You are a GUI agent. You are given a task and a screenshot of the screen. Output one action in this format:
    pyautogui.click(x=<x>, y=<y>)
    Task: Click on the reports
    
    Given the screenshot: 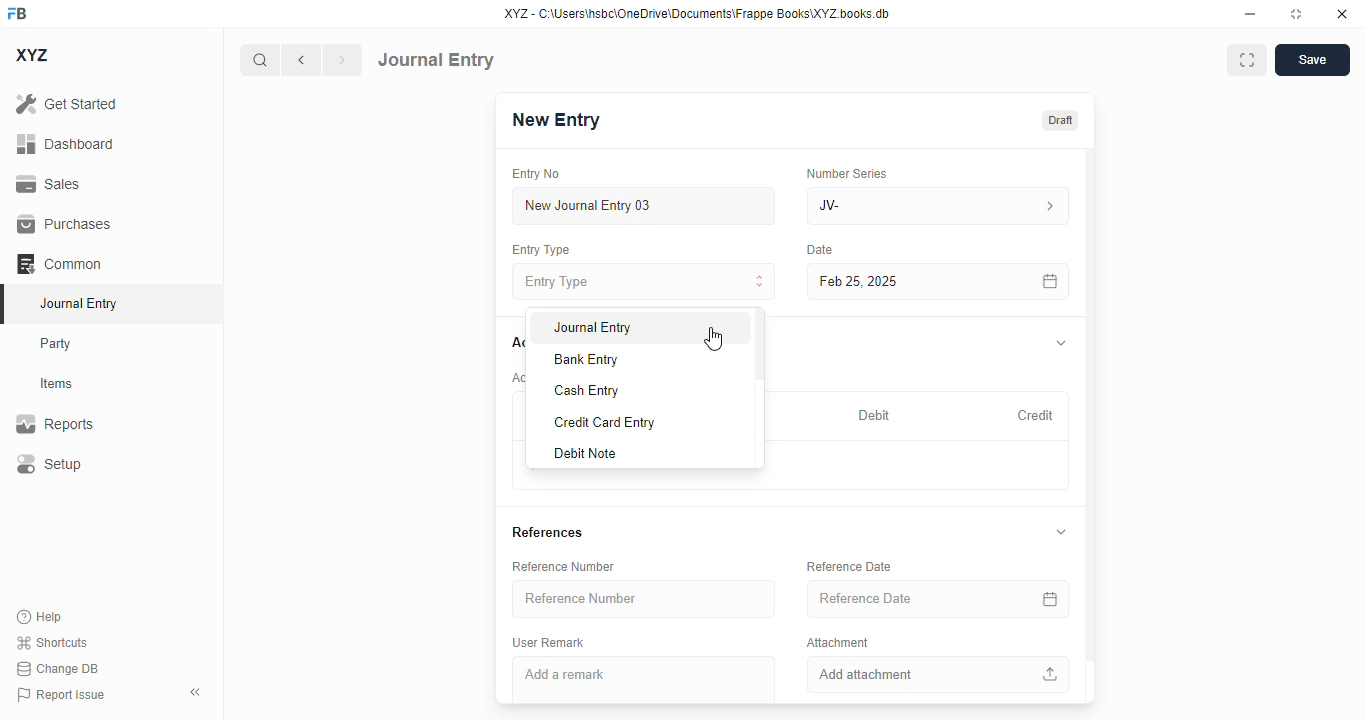 What is the action you would take?
    pyautogui.click(x=55, y=423)
    